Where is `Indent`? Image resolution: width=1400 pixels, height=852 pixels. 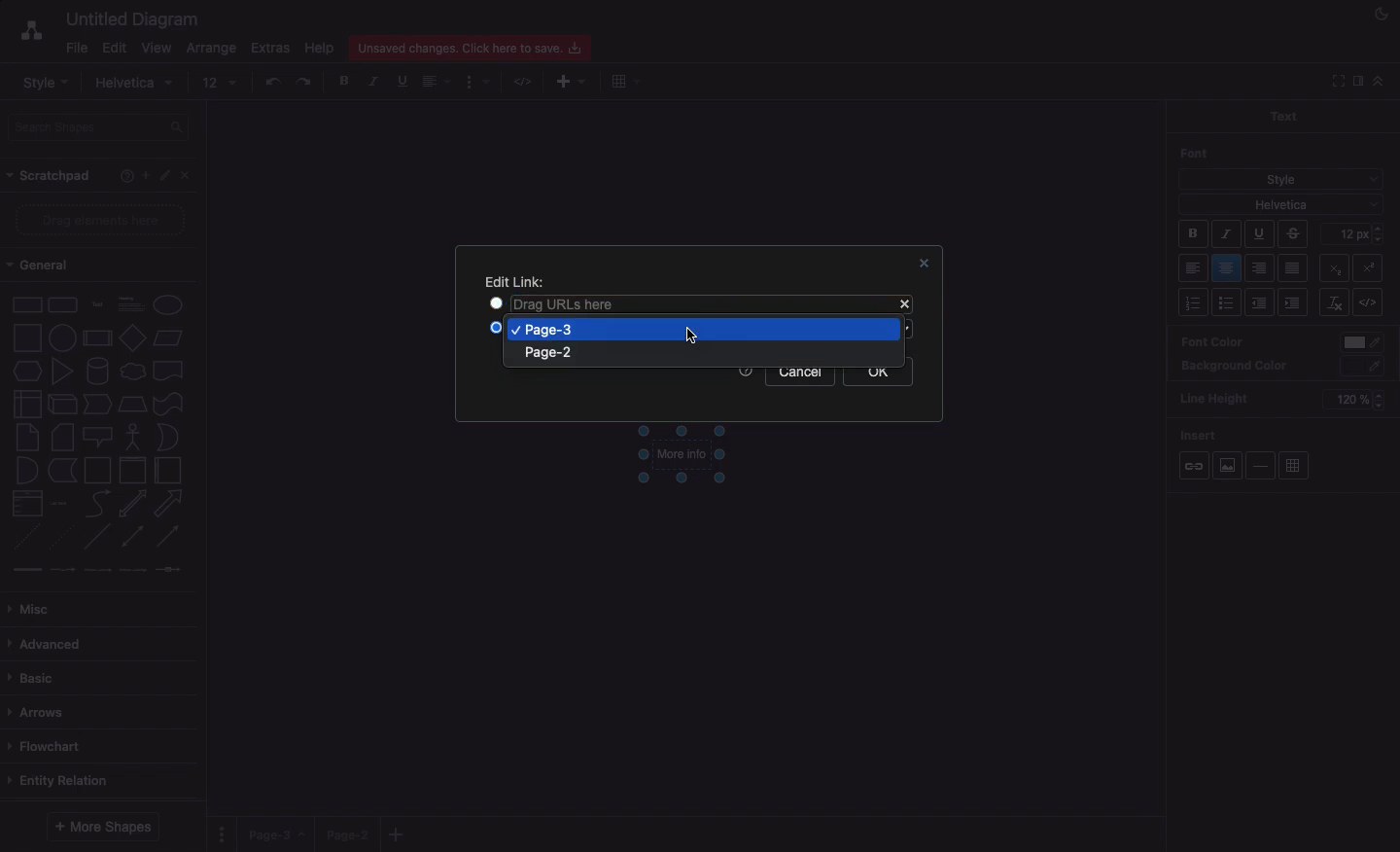
Indent is located at coordinates (1295, 303).